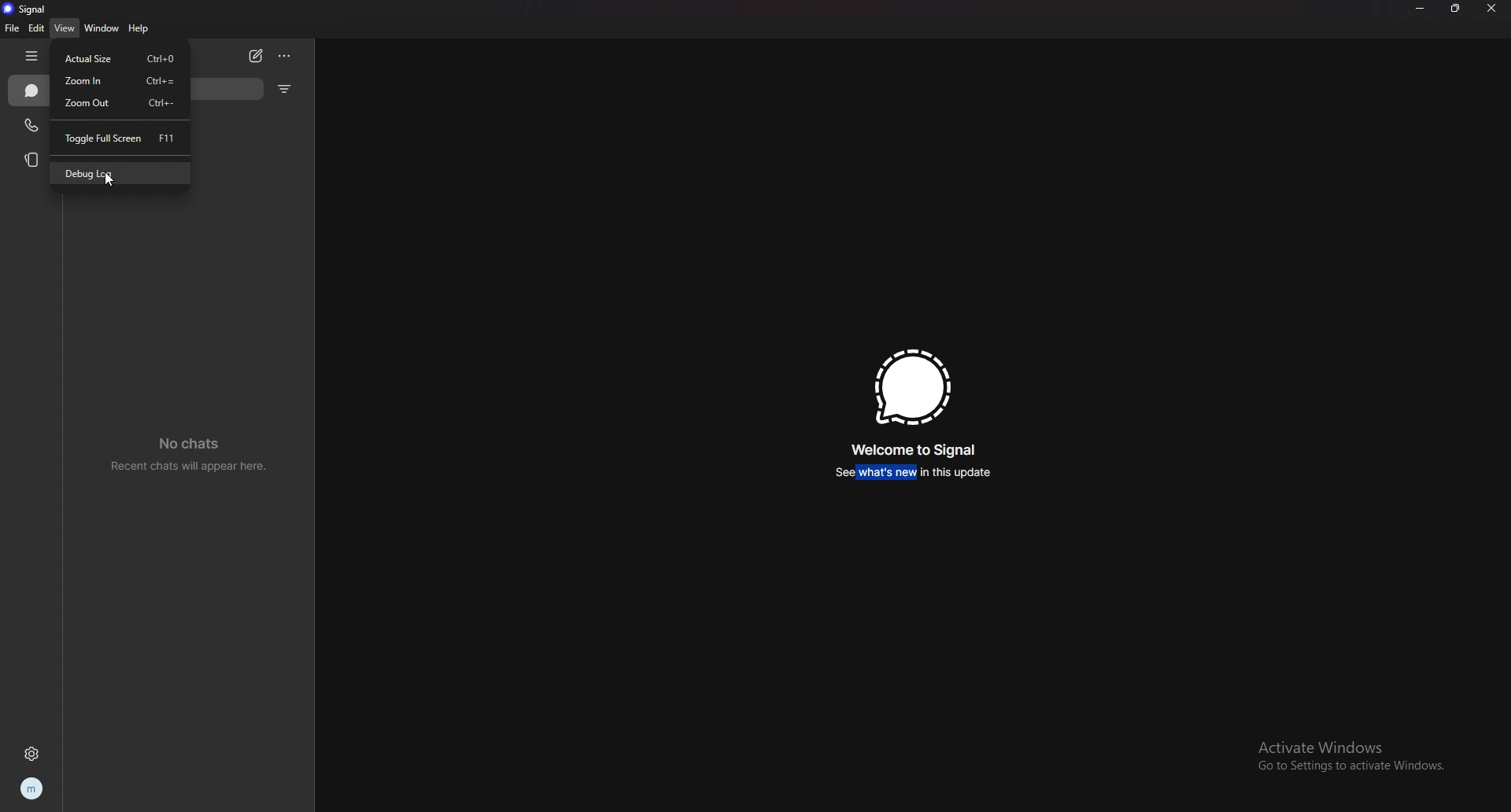 The width and height of the screenshot is (1511, 812). What do you see at coordinates (913, 388) in the screenshot?
I see `signal logo` at bounding box center [913, 388].